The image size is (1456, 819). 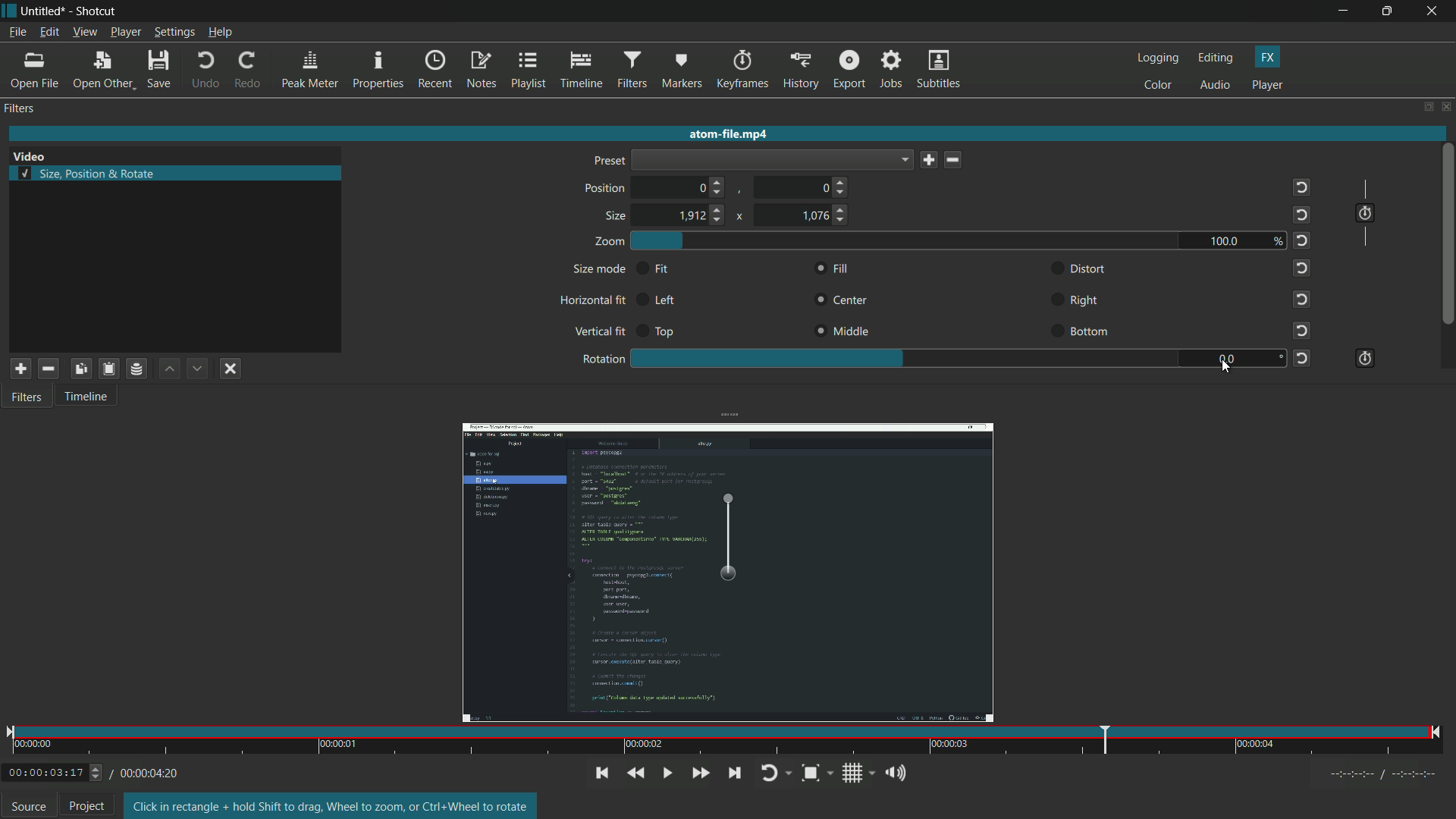 What do you see at coordinates (1445, 106) in the screenshot?
I see `close panel` at bounding box center [1445, 106].